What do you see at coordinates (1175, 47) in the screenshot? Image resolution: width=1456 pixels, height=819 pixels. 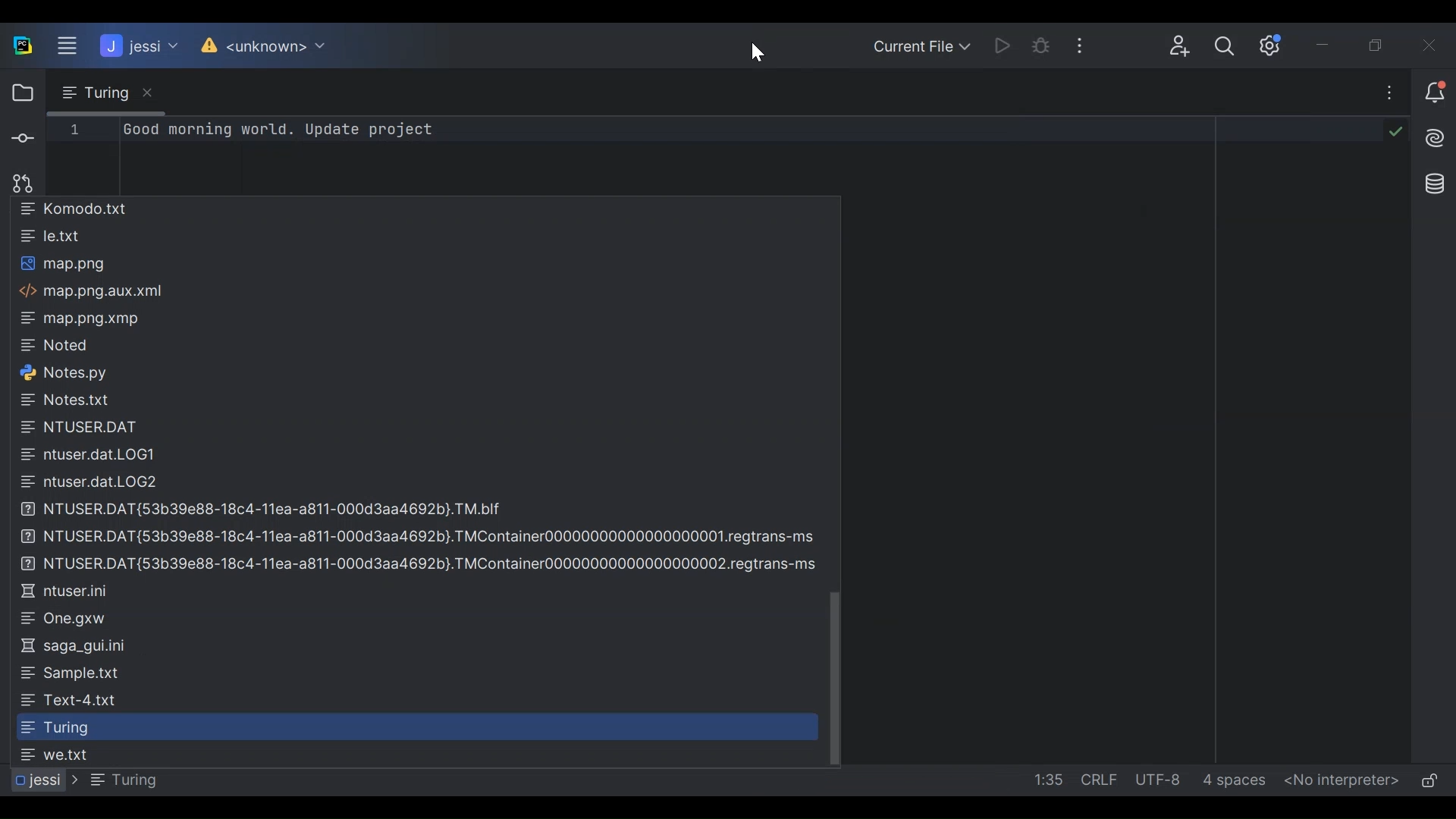 I see `Code with Me` at bounding box center [1175, 47].